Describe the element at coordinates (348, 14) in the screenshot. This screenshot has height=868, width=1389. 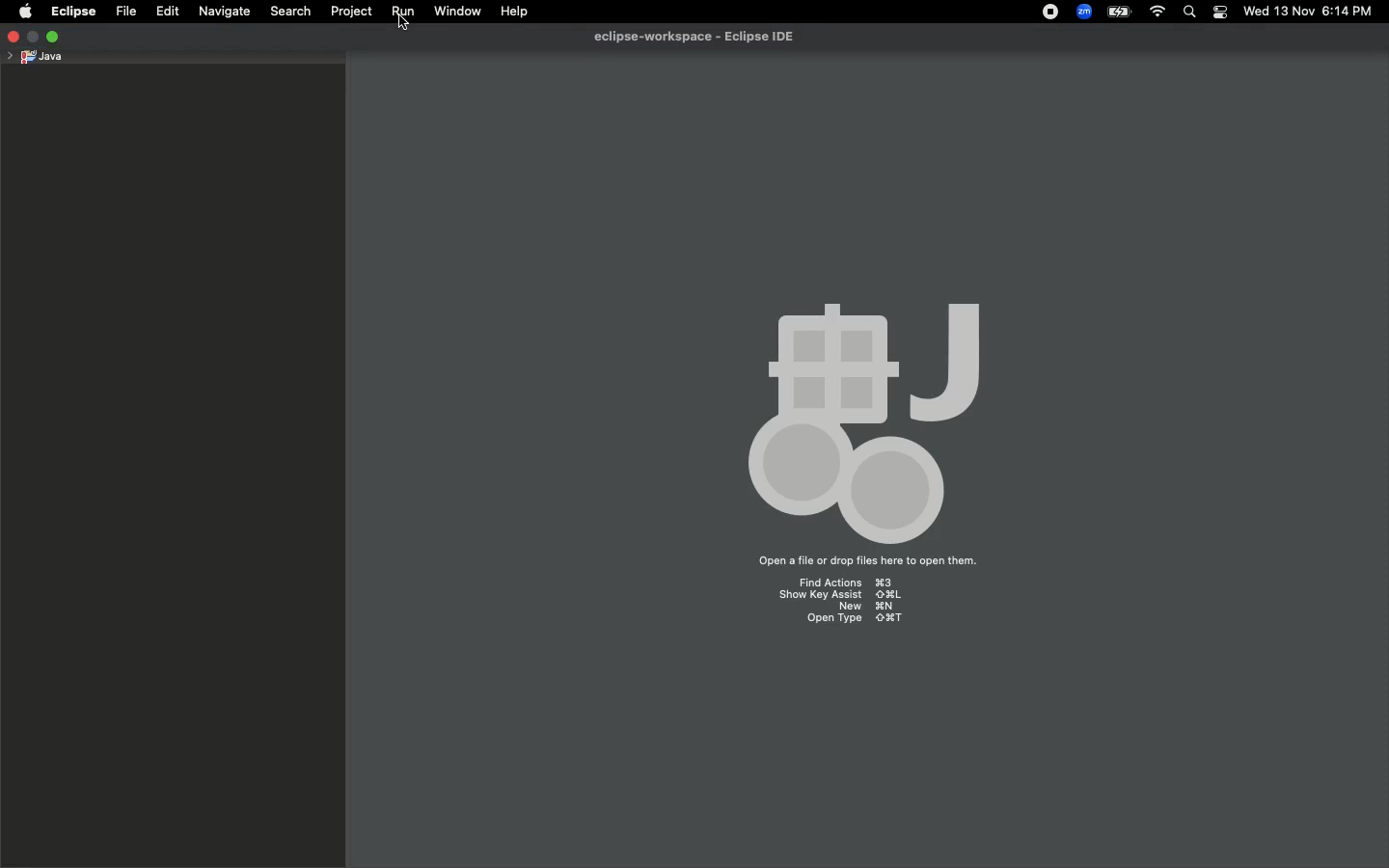
I see `Project` at that location.